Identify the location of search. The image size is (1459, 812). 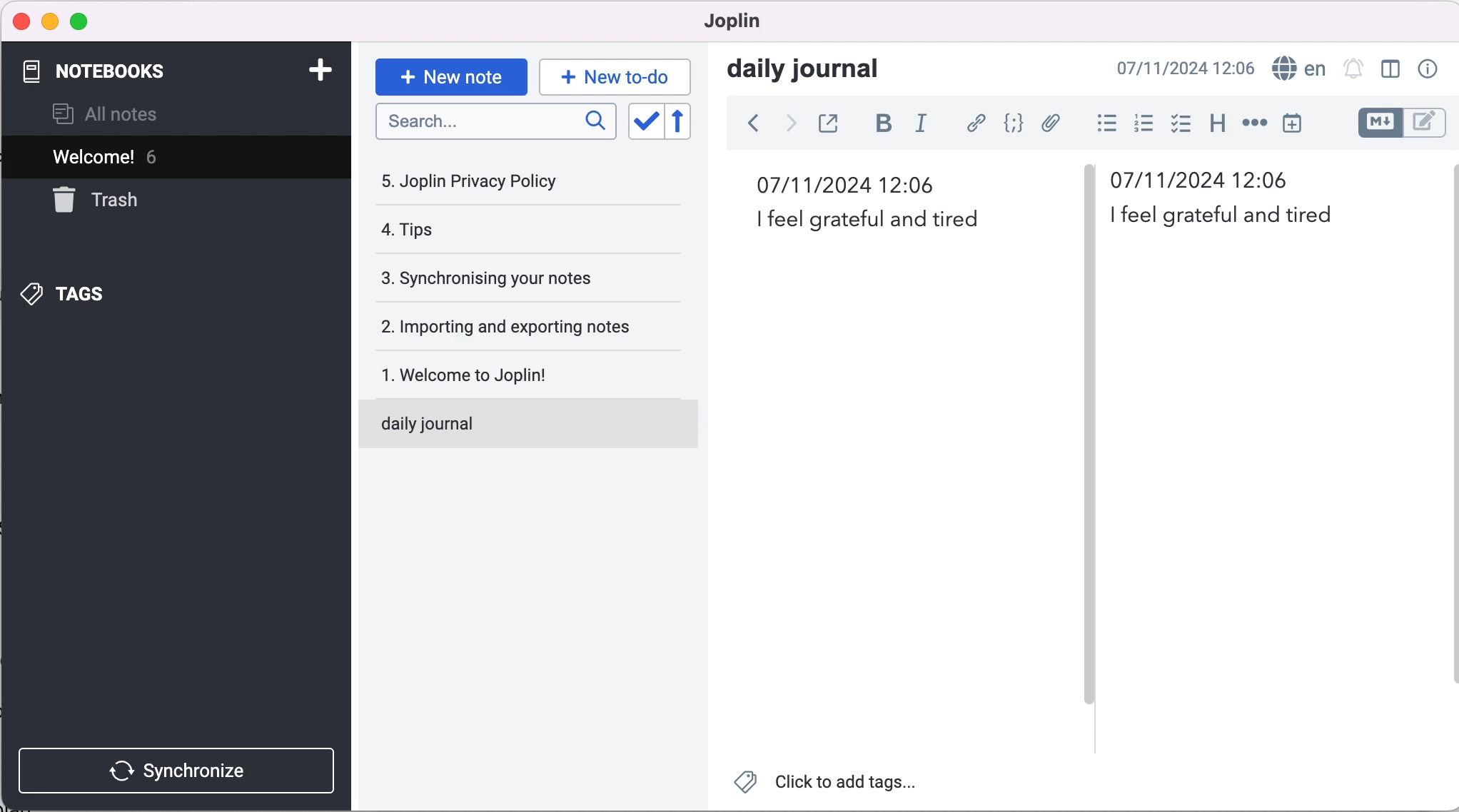
(493, 123).